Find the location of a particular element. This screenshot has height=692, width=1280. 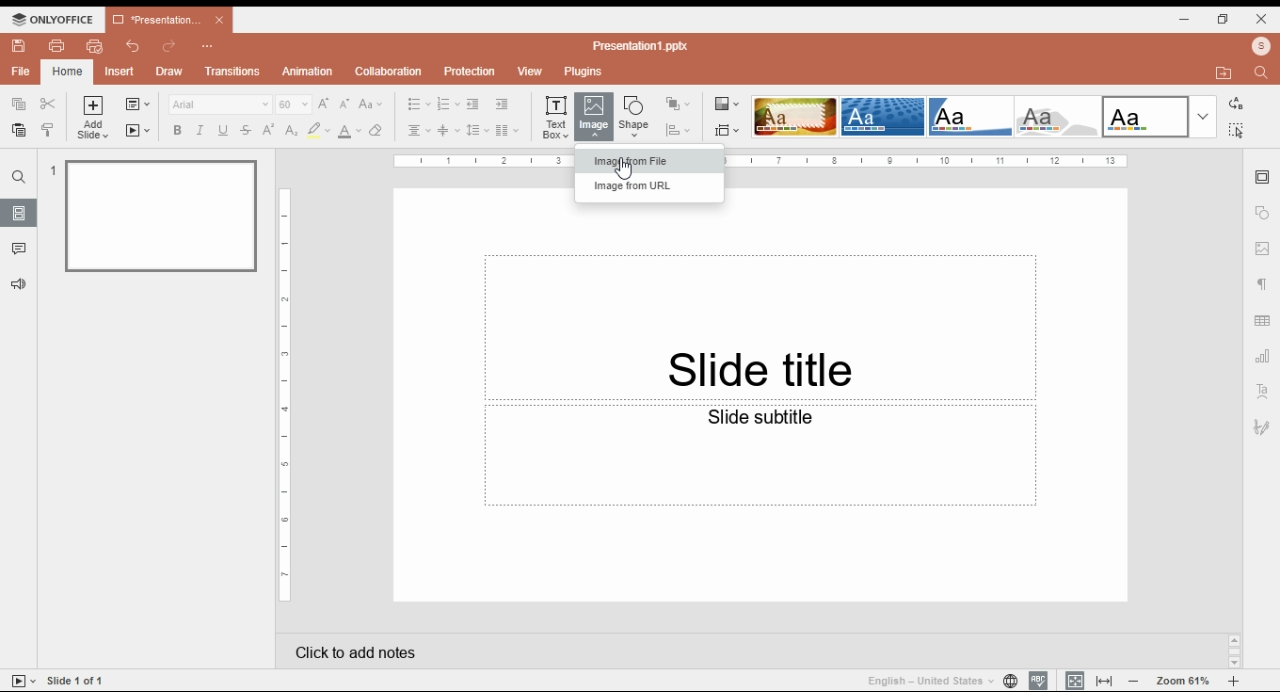

close window is located at coordinates (1263, 18).